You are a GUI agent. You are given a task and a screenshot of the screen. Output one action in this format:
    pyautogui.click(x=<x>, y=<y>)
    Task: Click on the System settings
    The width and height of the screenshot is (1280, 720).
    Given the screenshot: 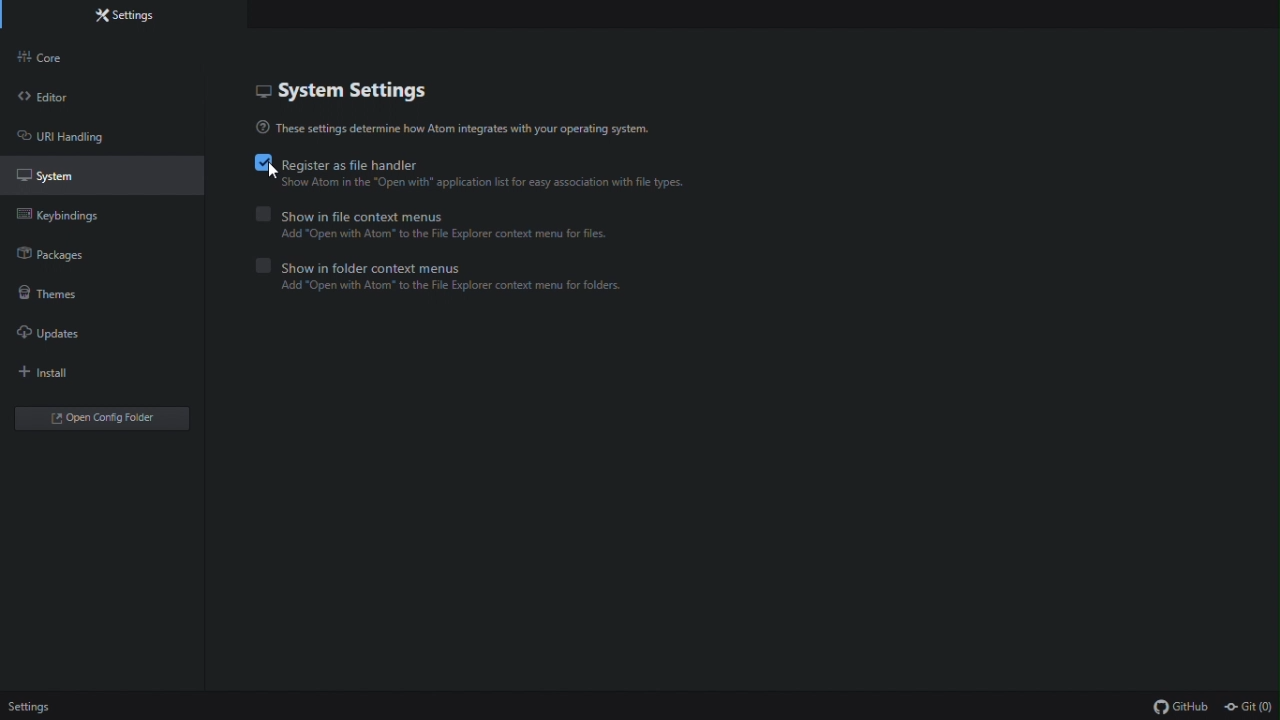 What is the action you would take?
    pyautogui.click(x=352, y=89)
    